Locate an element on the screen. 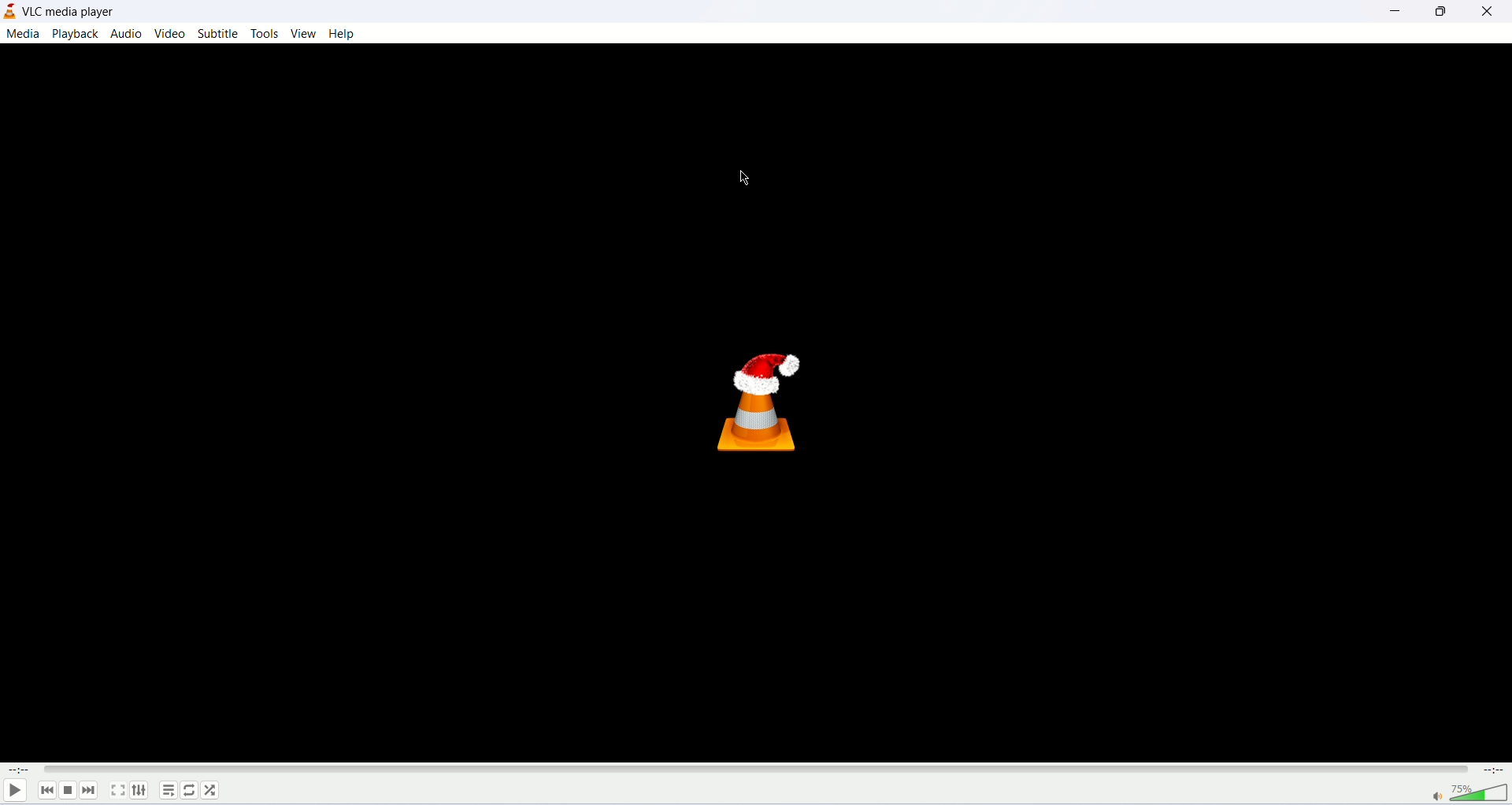  view is located at coordinates (303, 33).